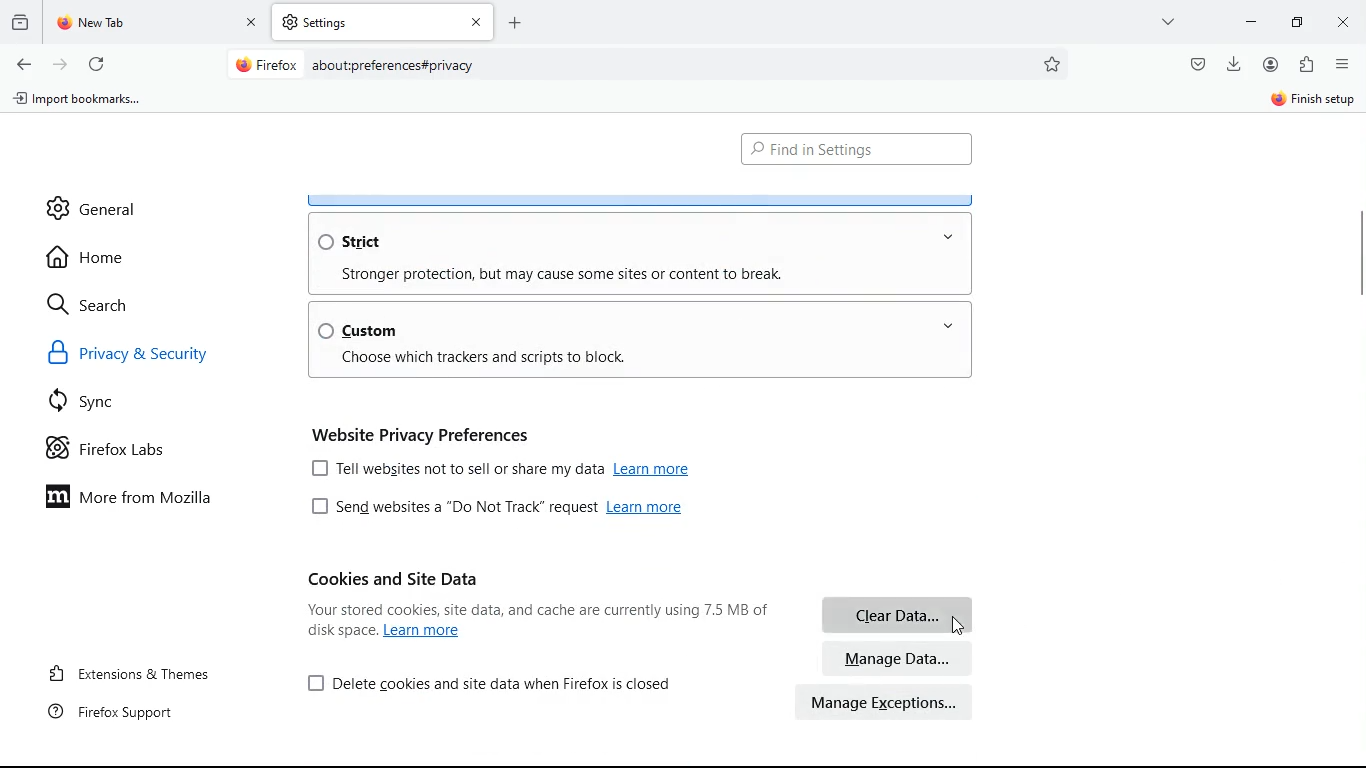 This screenshot has height=768, width=1366. What do you see at coordinates (958, 625) in the screenshot?
I see `Cursor` at bounding box center [958, 625].